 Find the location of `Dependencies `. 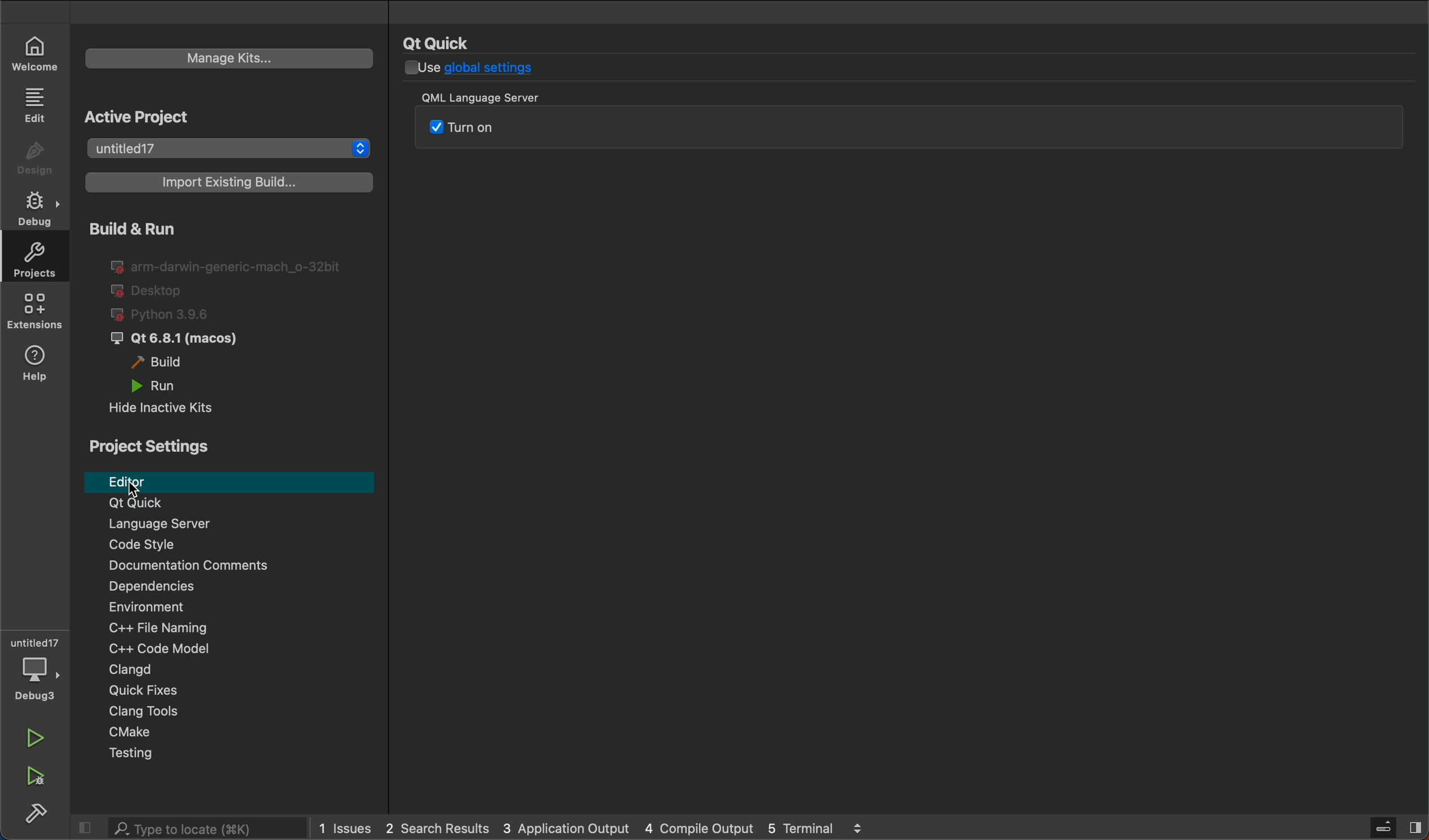

Dependencies  is located at coordinates (245, 588).